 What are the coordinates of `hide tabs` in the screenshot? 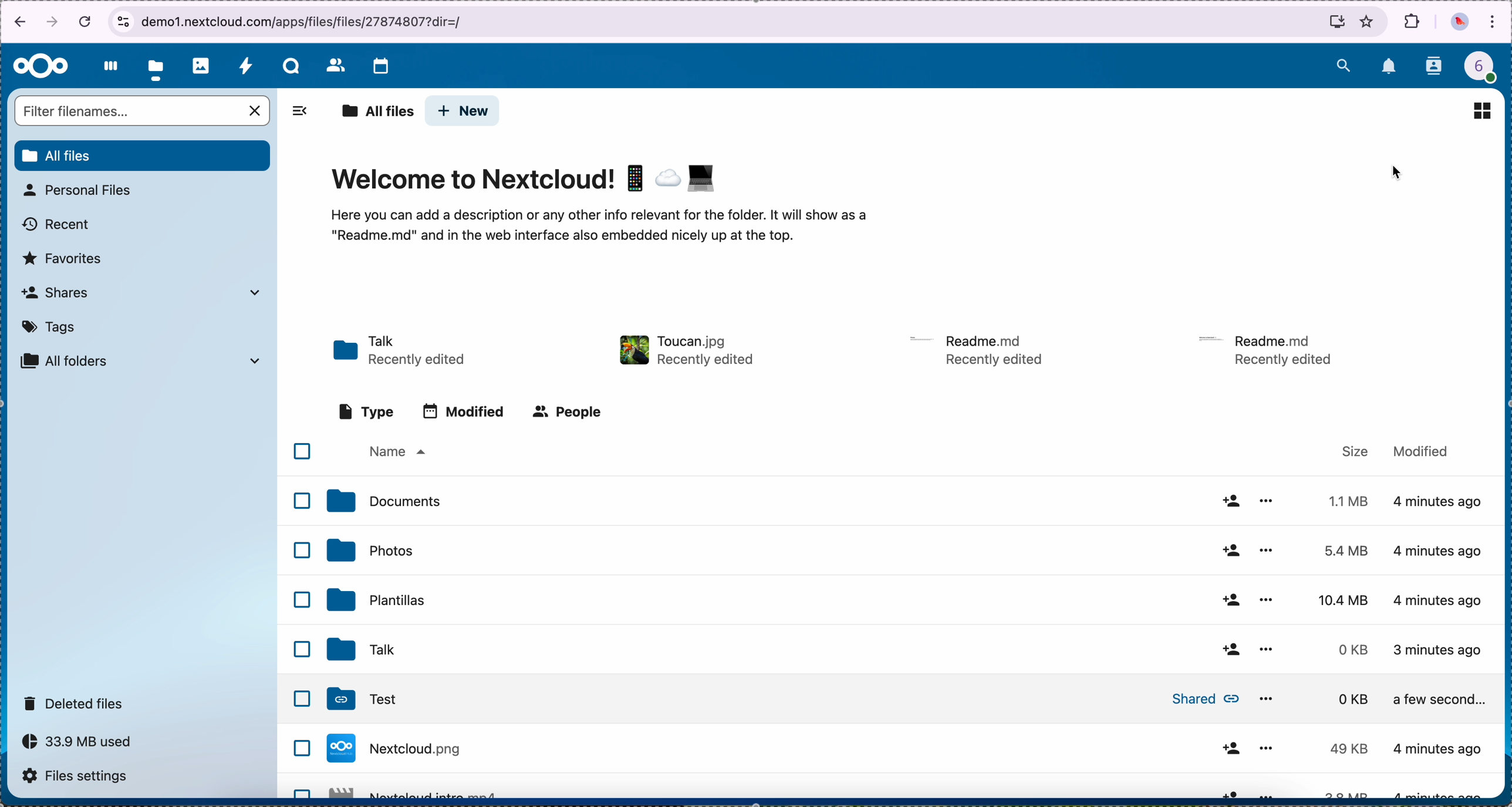 It's located at (299, 114).